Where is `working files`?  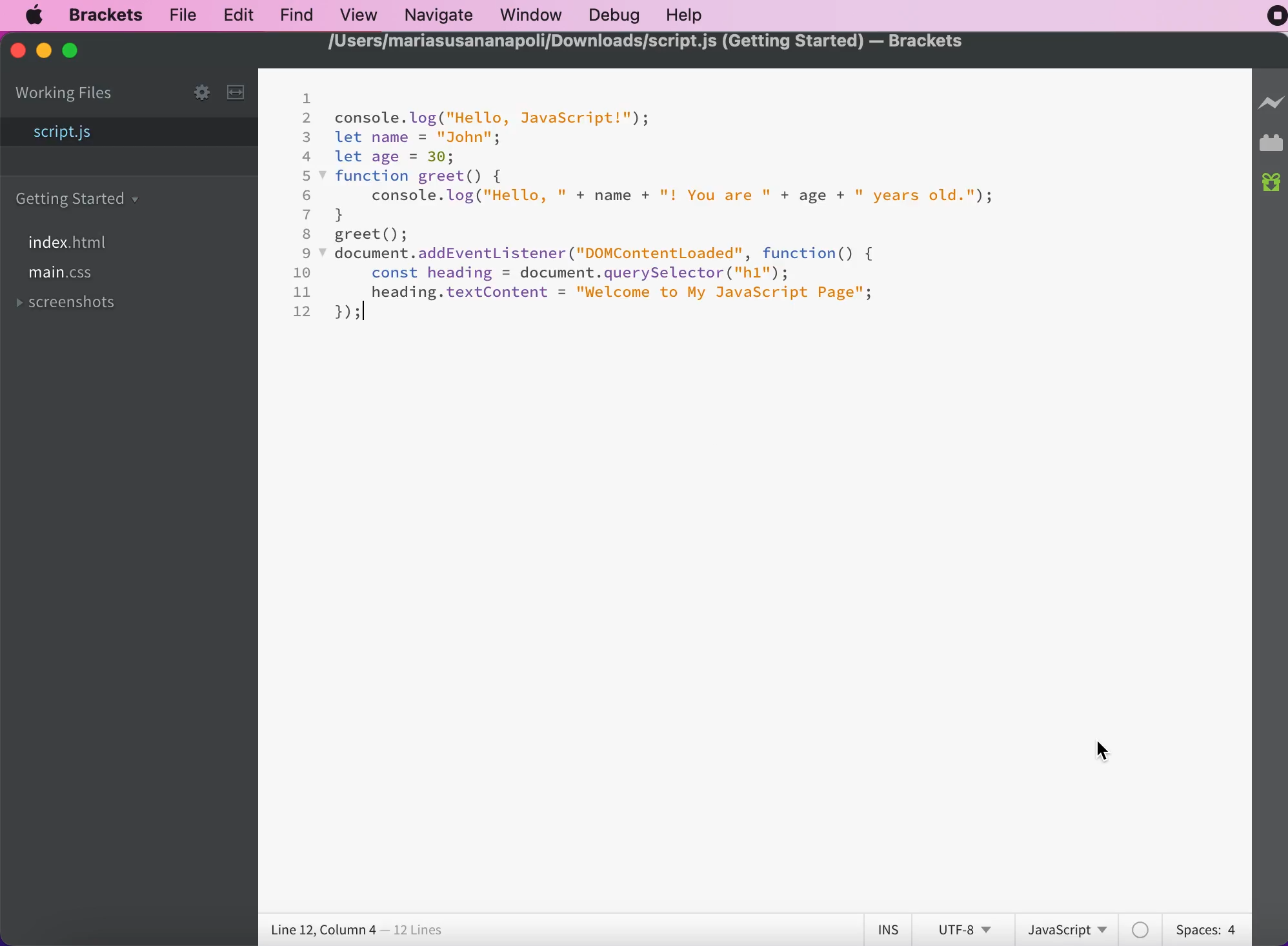 working files is located at coordinates (66, 94).